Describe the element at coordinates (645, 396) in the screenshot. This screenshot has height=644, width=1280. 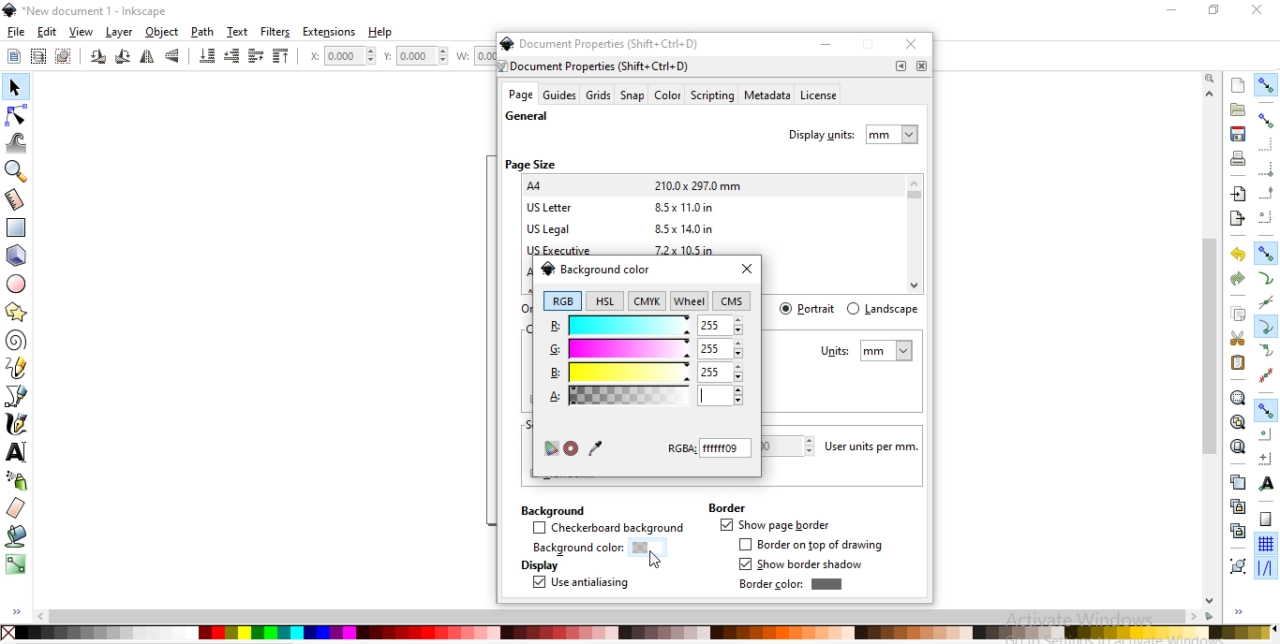
I see `alpha` at that location.